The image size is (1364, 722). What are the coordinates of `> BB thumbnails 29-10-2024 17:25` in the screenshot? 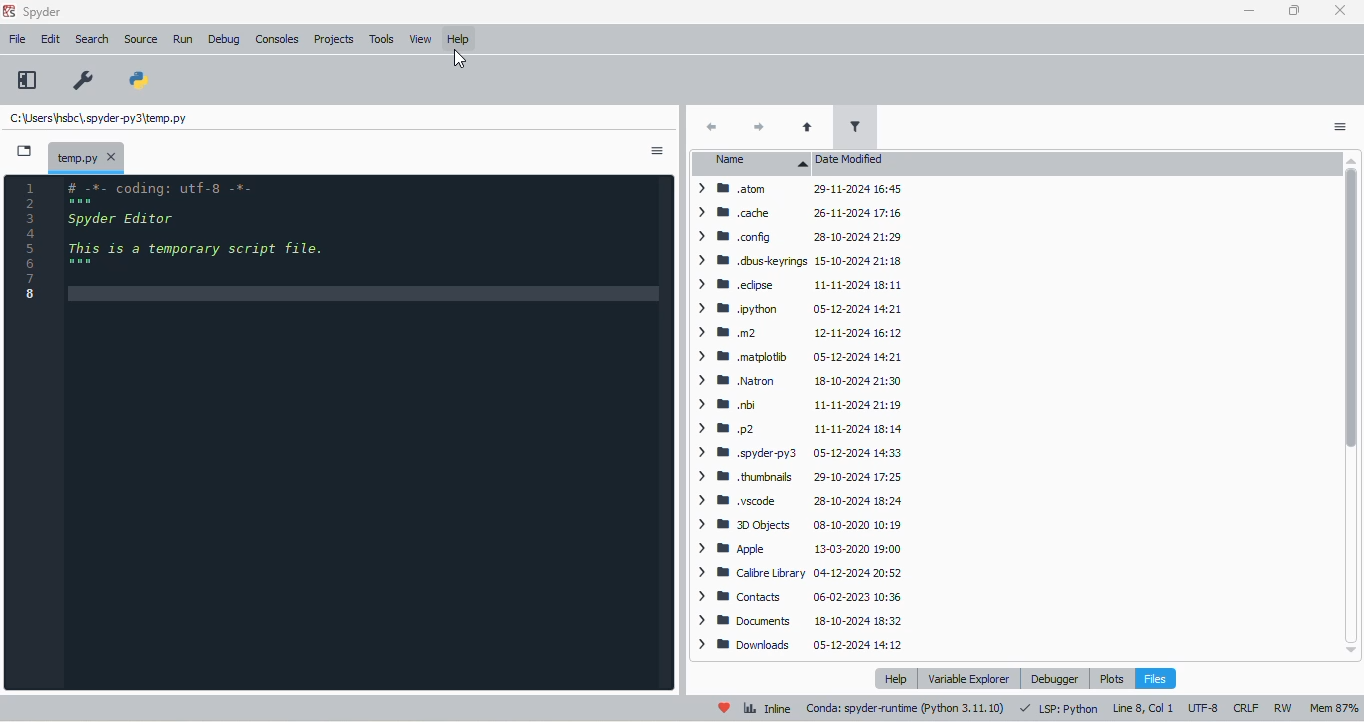 It's located at (798, 477).